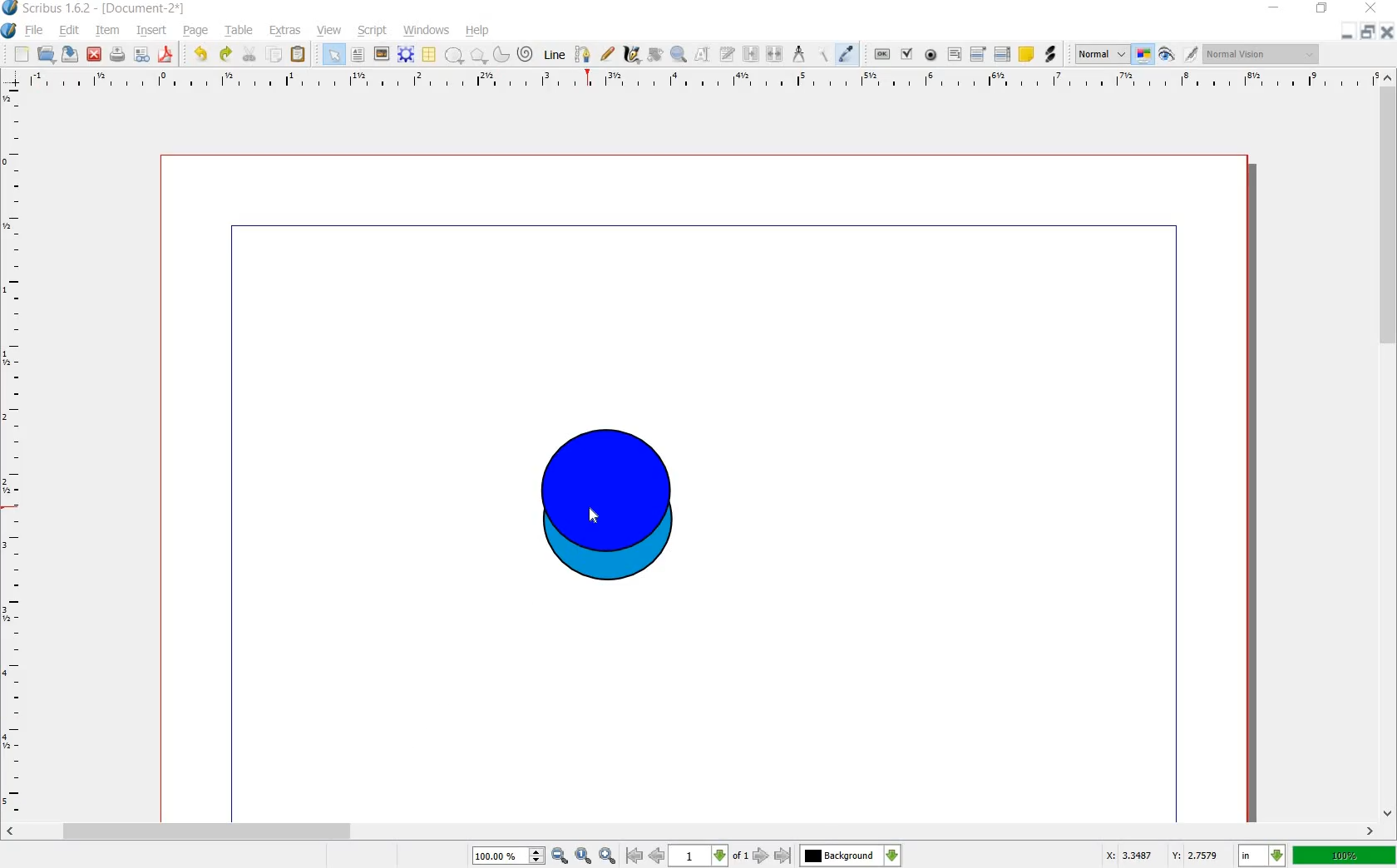 The height and width of the screenshot is (868, 1397). Describe the element at coordinates (165, 55) in the screenshot. I see `save as pdf` at that location.